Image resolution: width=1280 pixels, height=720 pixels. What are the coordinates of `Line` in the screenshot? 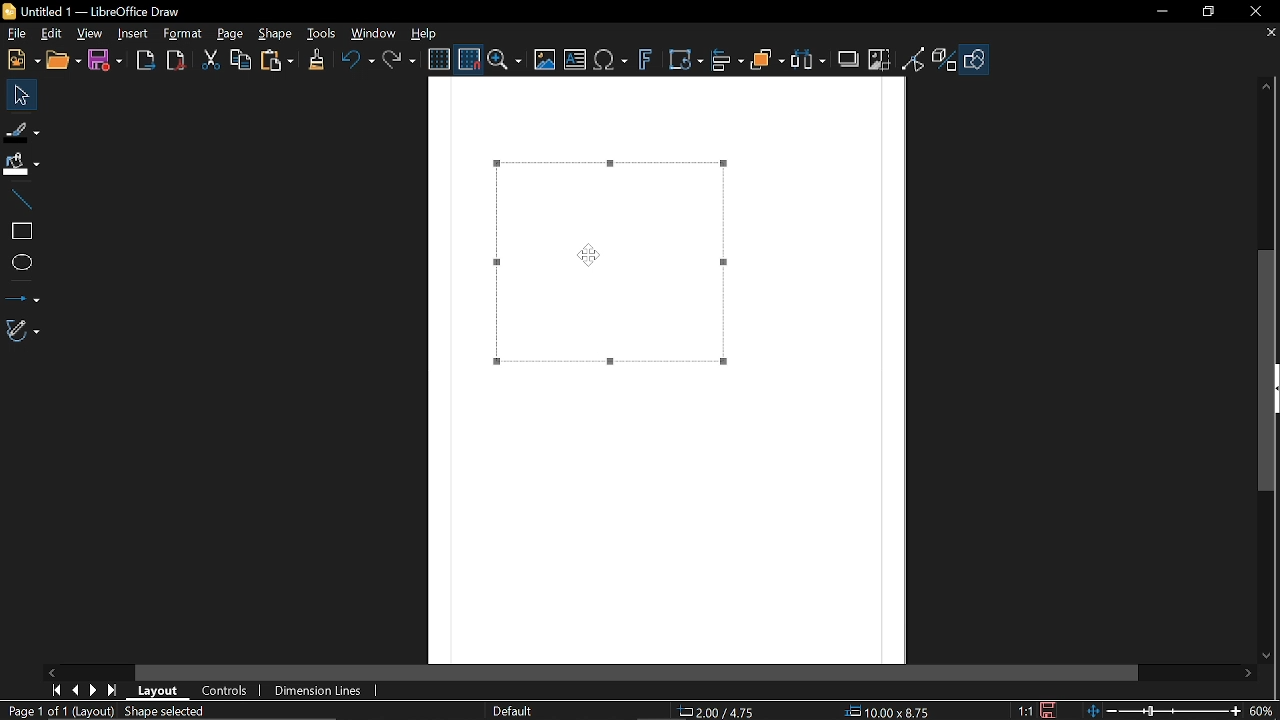 It's located at (21, 201).